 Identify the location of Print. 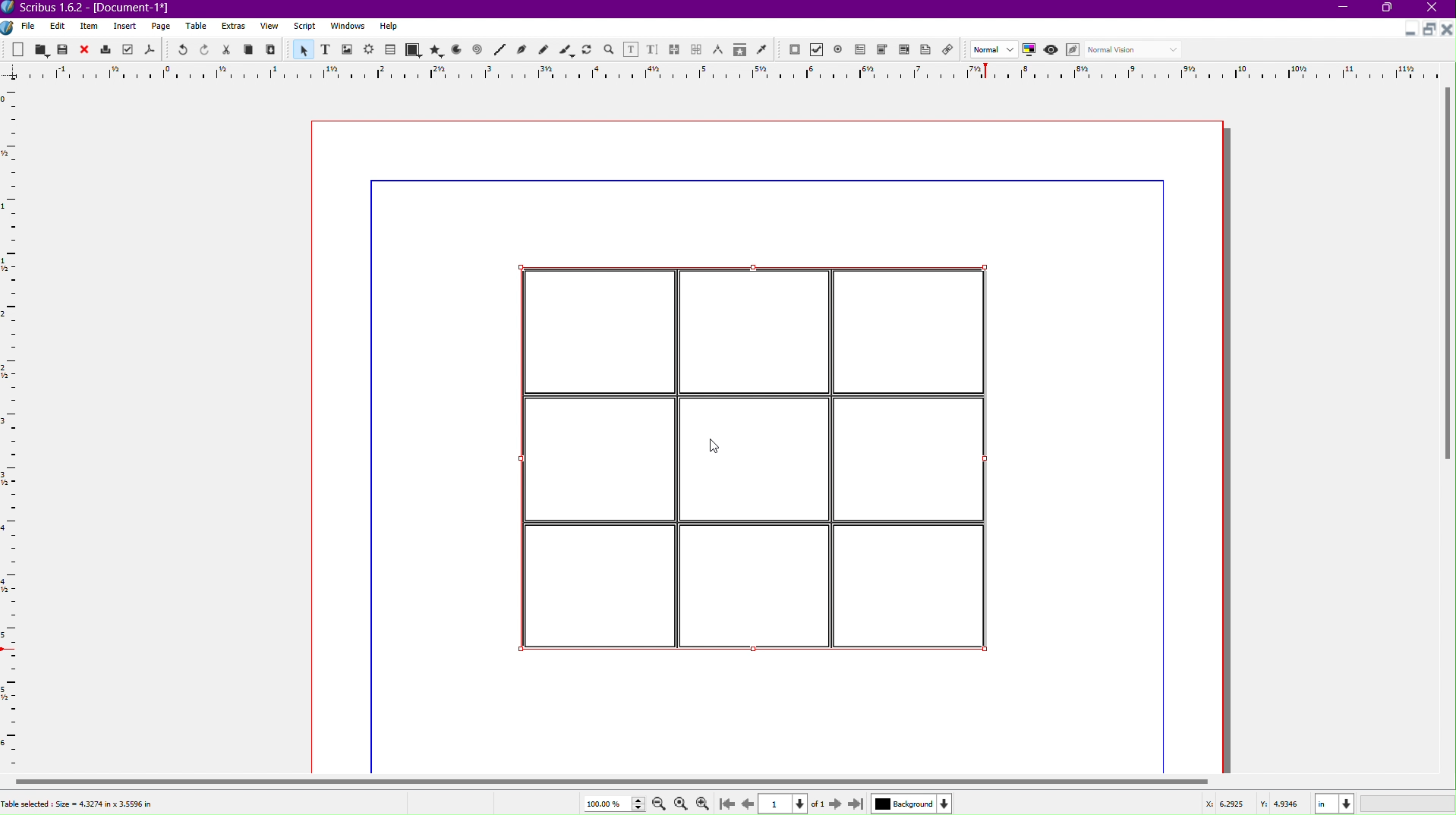
(106, 49).